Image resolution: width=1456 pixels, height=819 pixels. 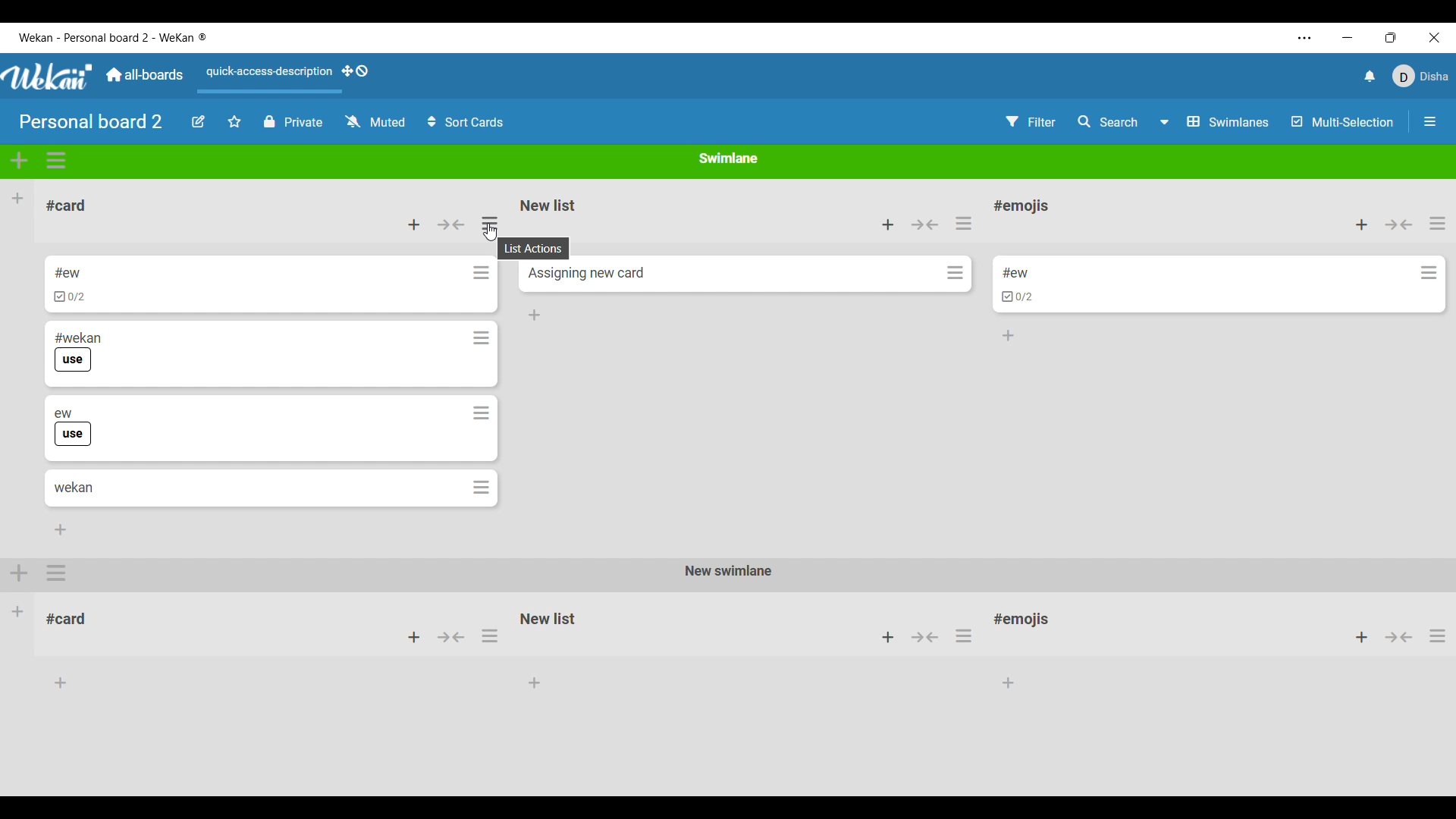 I want to click on Add card to top of list, so click(x=414, y=224).